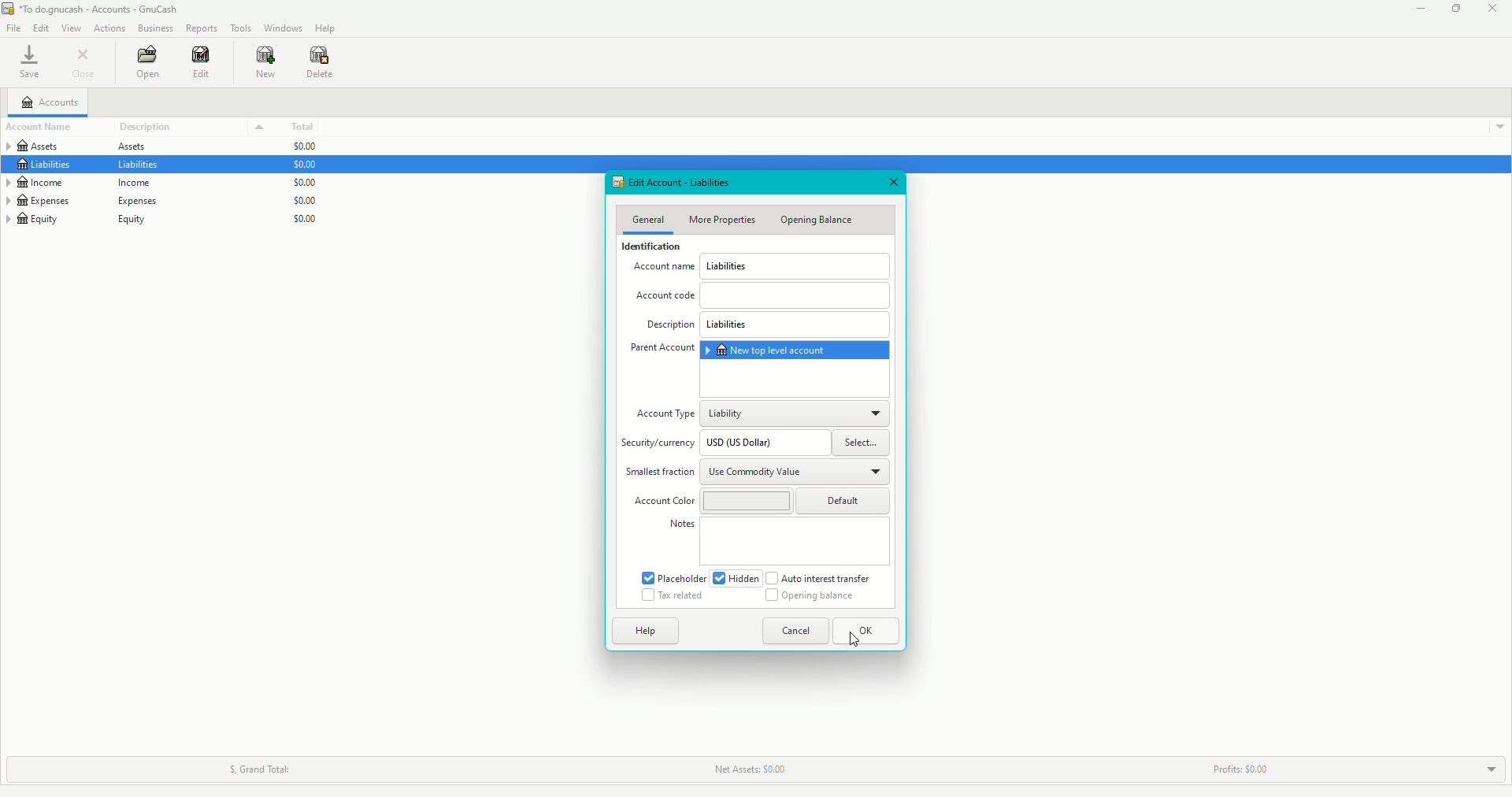 The width and height of the screenshot is (1512, 797). Describe the element at coordinates (326, 28) in the screenshot. I see `Help` at that location.